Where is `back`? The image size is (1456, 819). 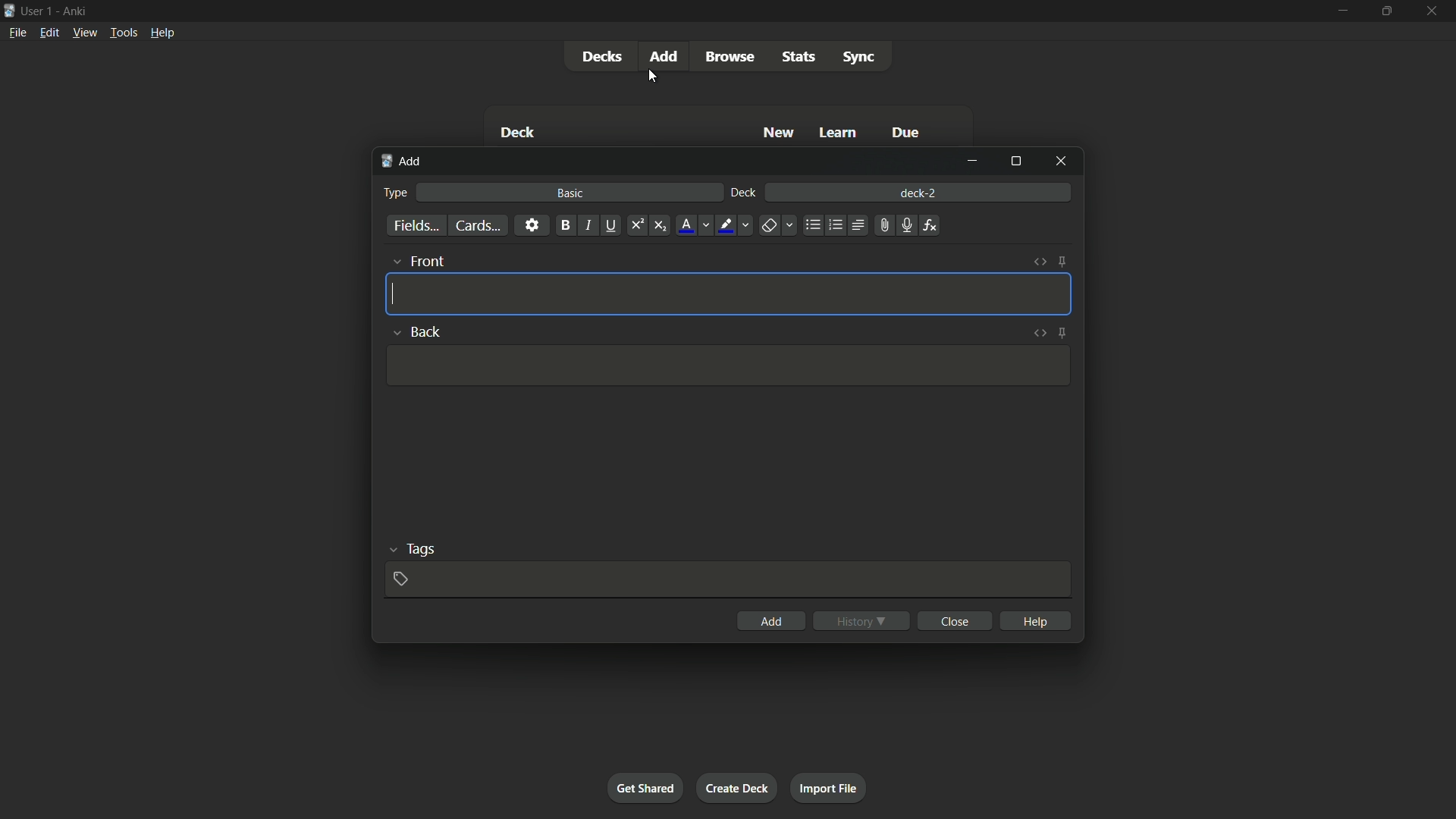 back is located at coordinates (419, 331).